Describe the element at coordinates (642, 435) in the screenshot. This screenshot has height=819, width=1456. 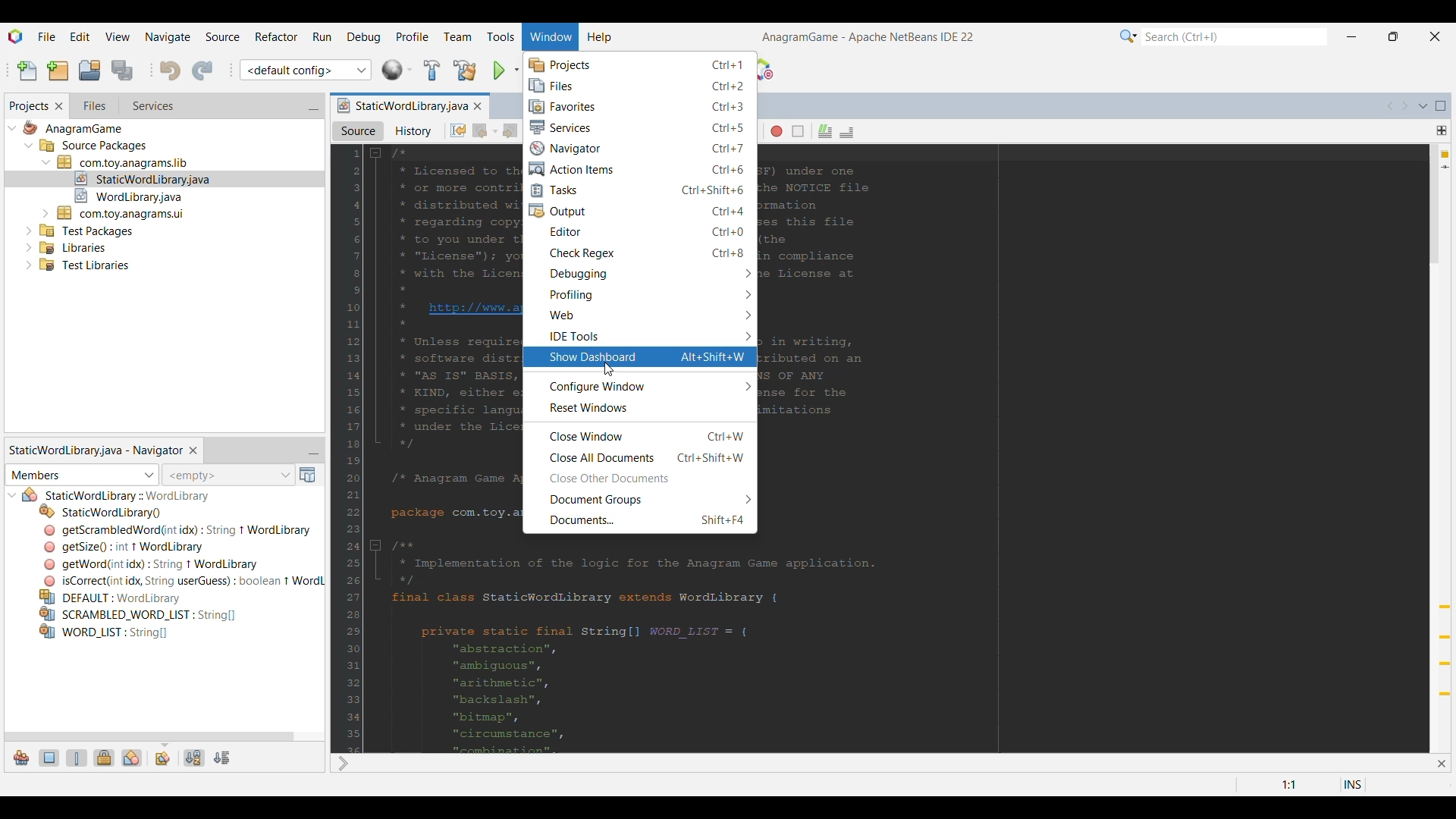
I see `Close window` at that location.